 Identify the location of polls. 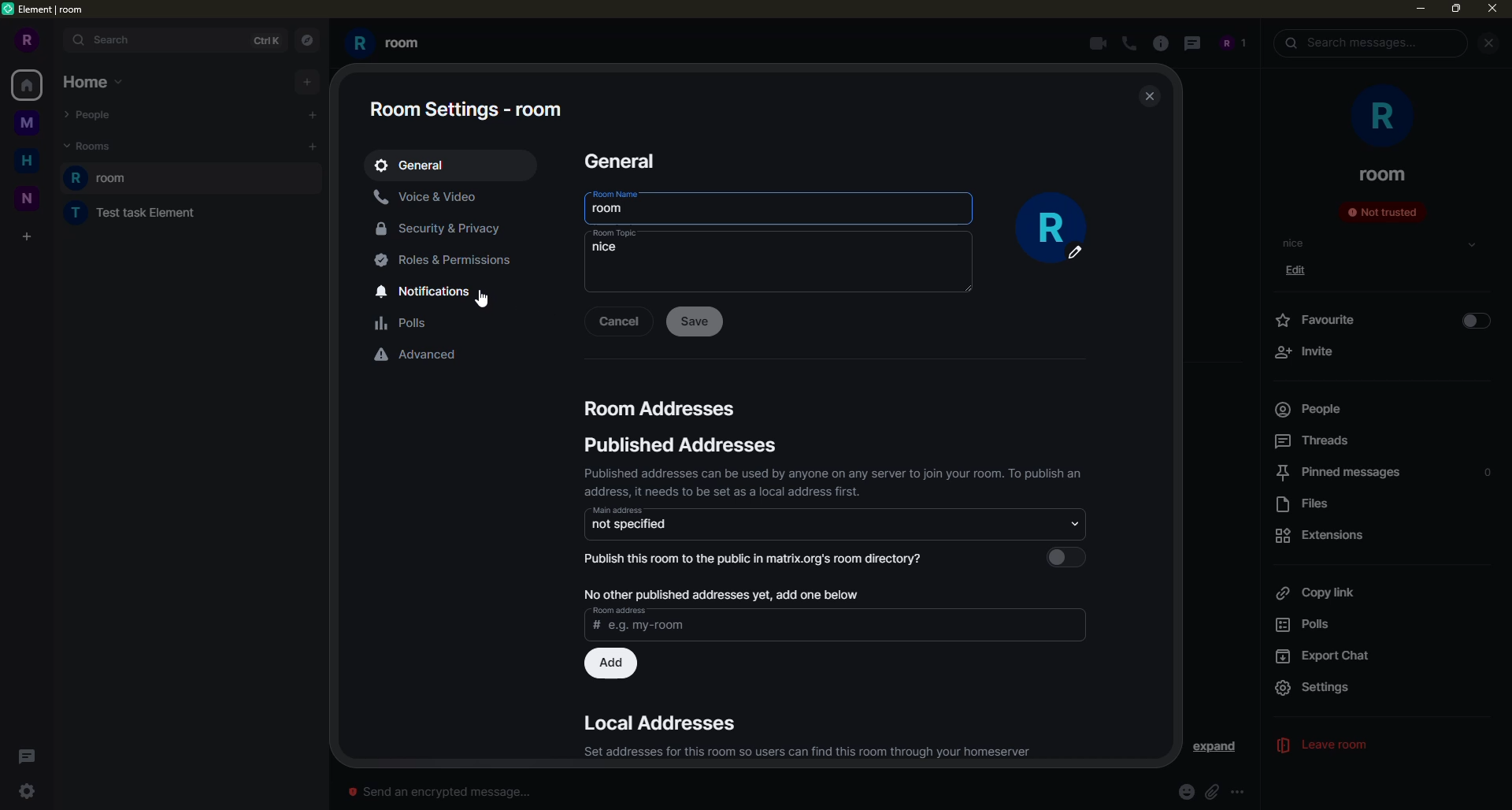
(404, 324).